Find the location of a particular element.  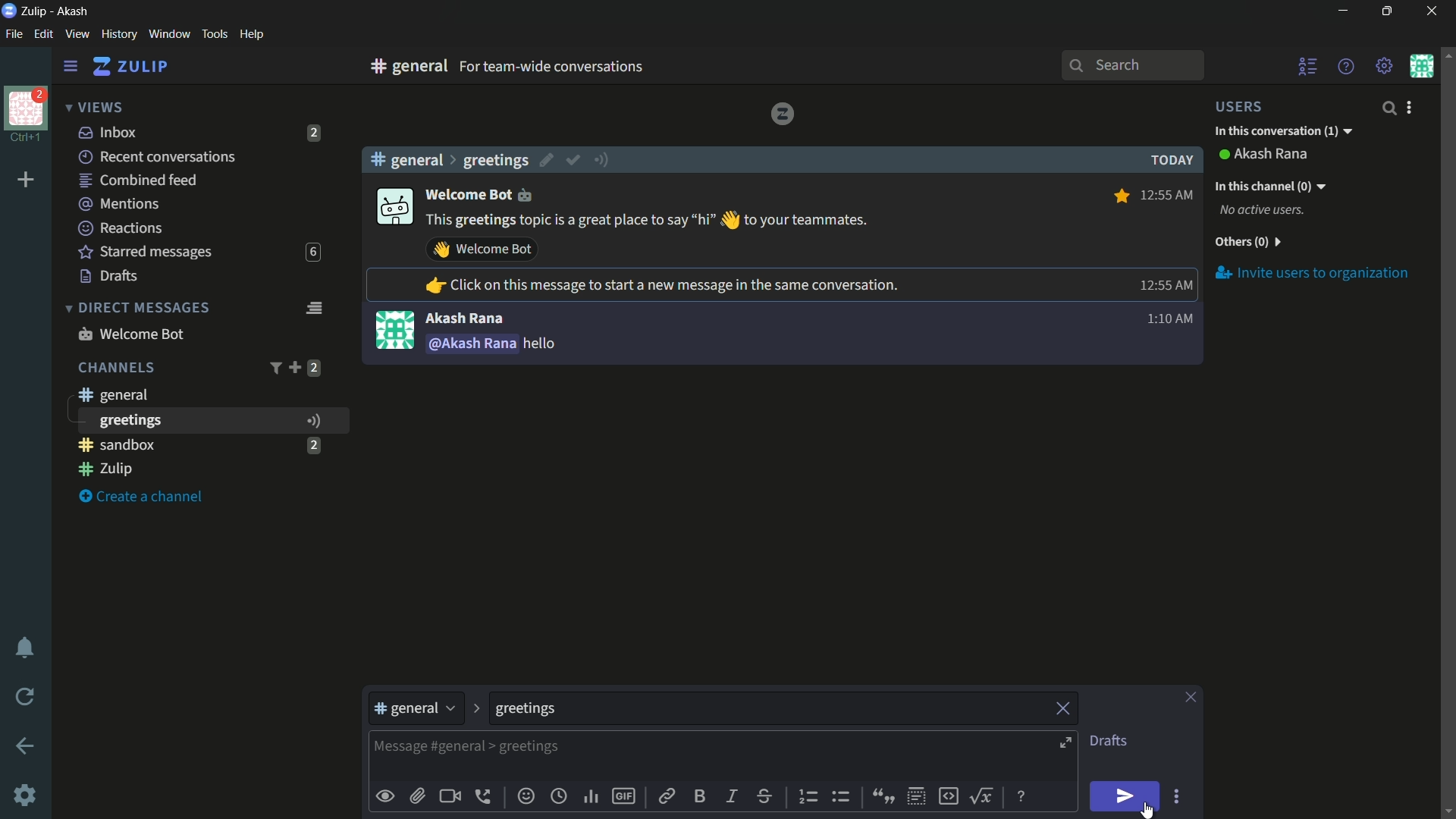

2 unread messages is located at coordinates (315, 133).